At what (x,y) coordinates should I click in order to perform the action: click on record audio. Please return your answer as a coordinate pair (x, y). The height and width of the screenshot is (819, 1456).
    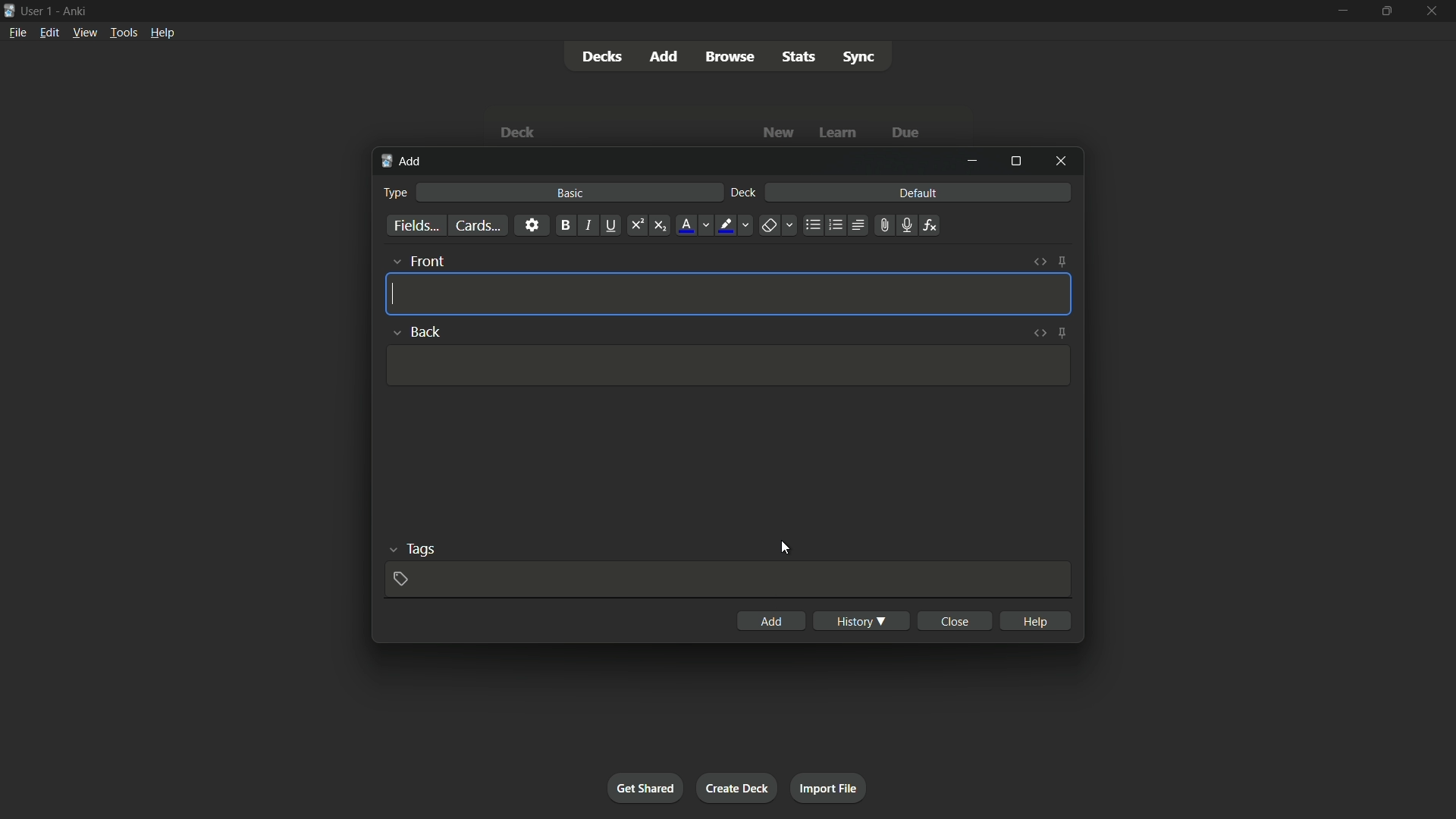
    Looking at the image, I should click on (907, 224).